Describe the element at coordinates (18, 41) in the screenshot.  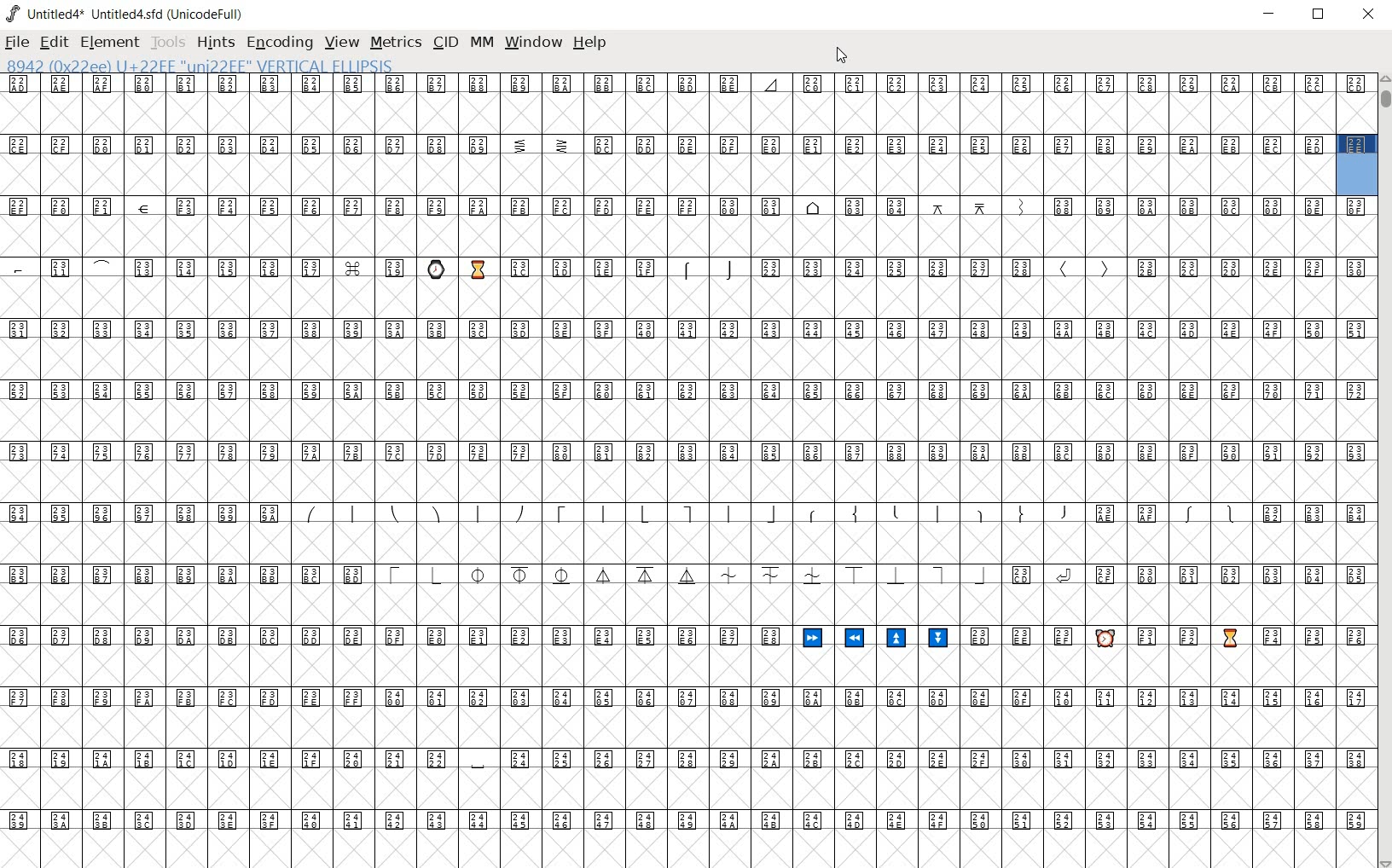
I see `FILE` at that location.